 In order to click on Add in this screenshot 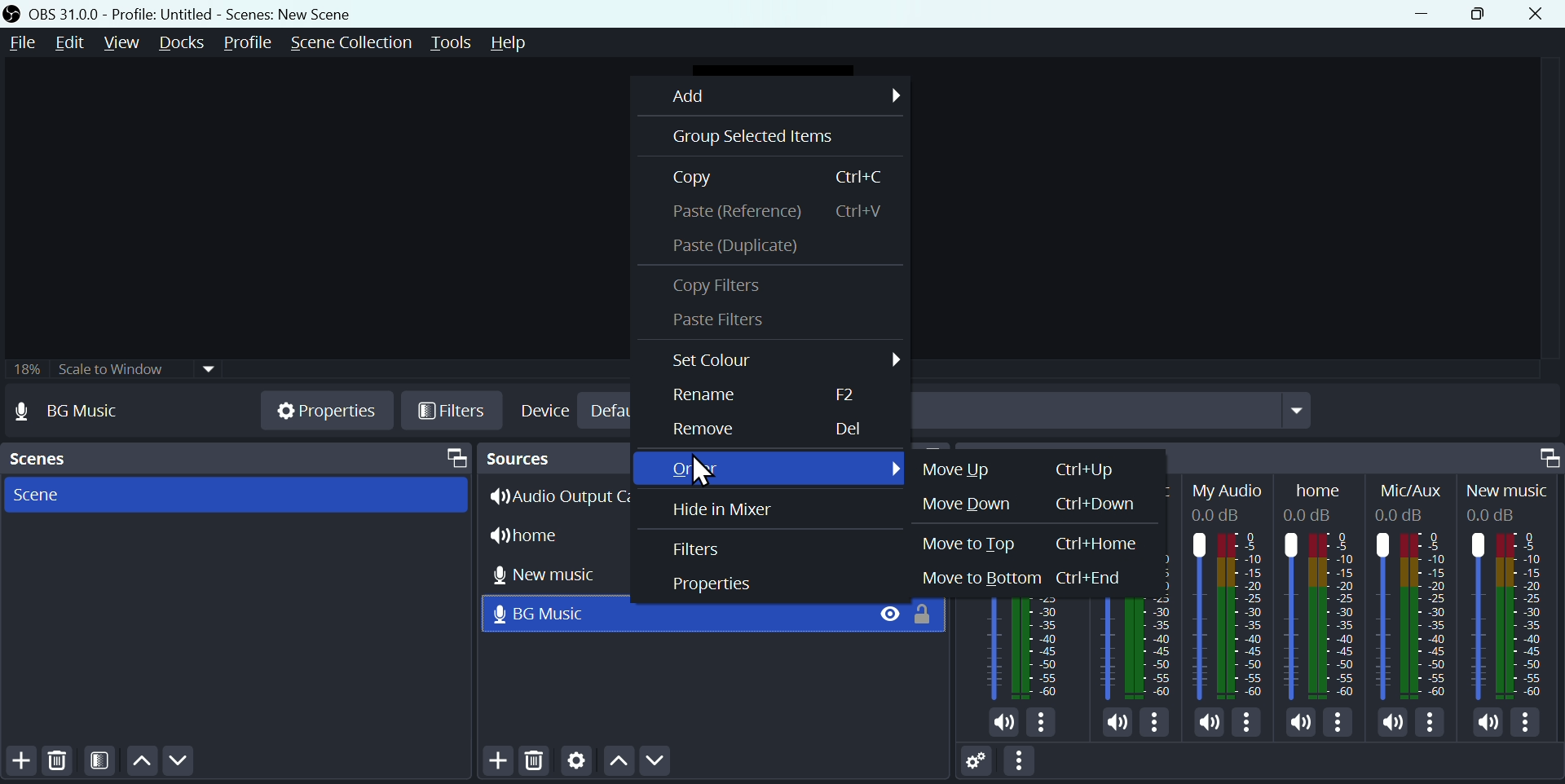, I will do `click(19, 762)`.